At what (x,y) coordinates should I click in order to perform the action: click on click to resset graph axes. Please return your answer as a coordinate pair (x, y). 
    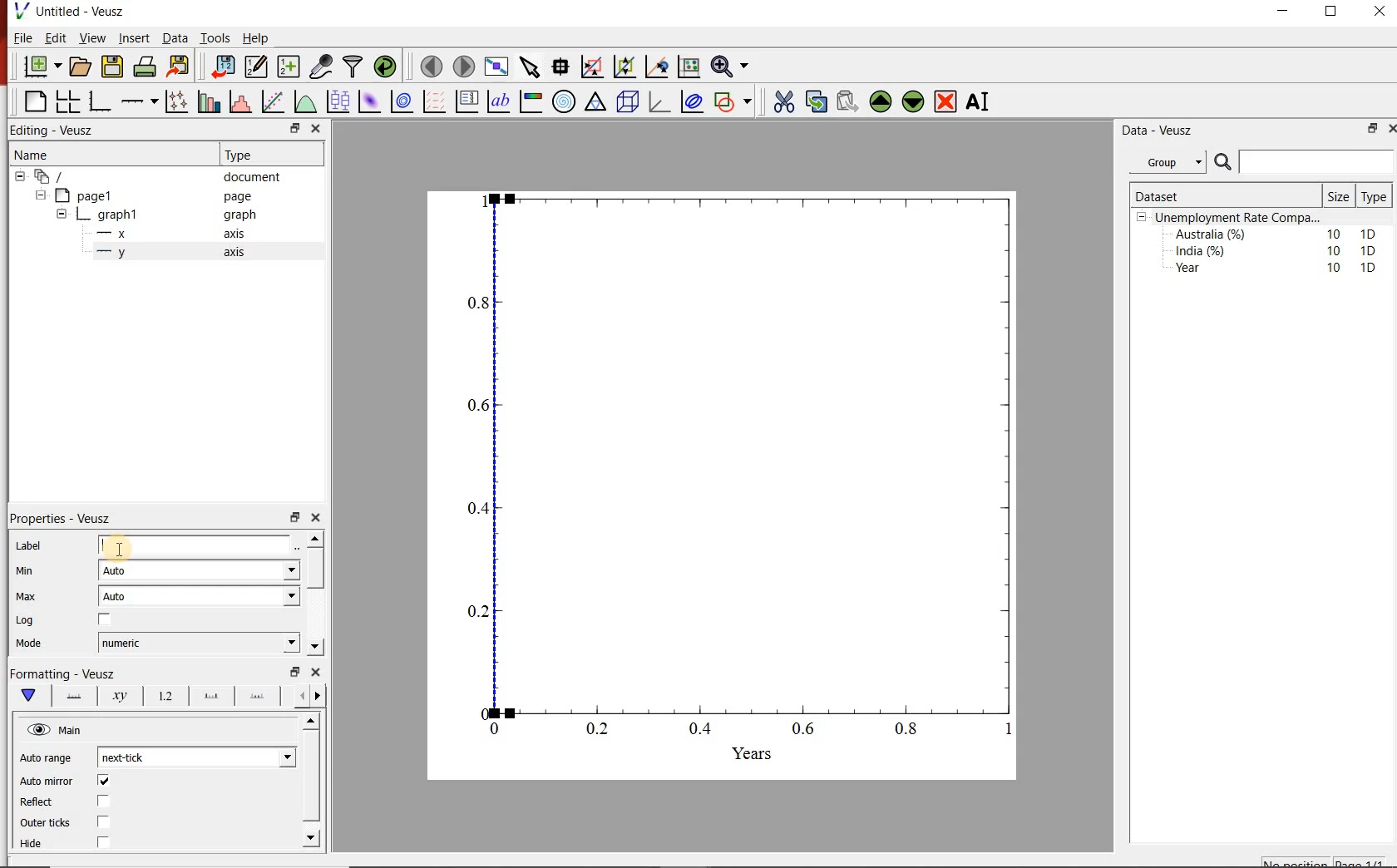
    Looking at the image, I should click on (689, 65).